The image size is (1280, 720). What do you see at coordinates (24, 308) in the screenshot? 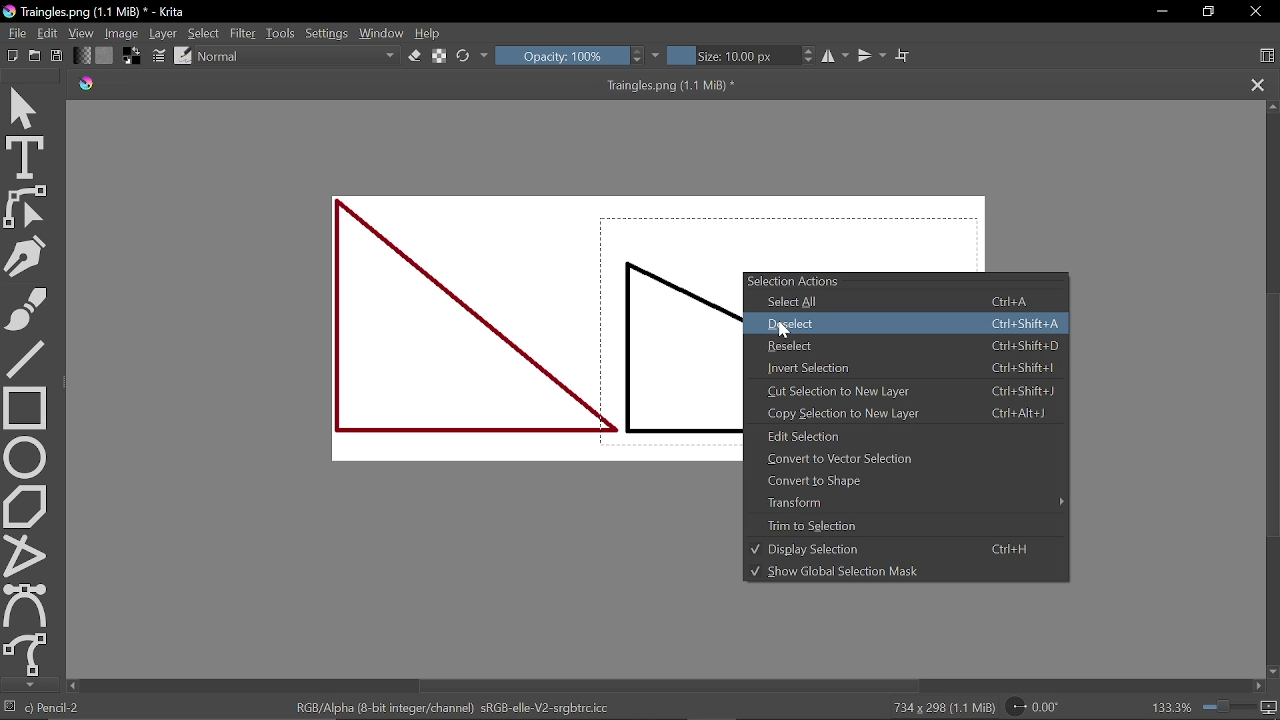
I see `Brush tool` at bounding box center [24, 308].